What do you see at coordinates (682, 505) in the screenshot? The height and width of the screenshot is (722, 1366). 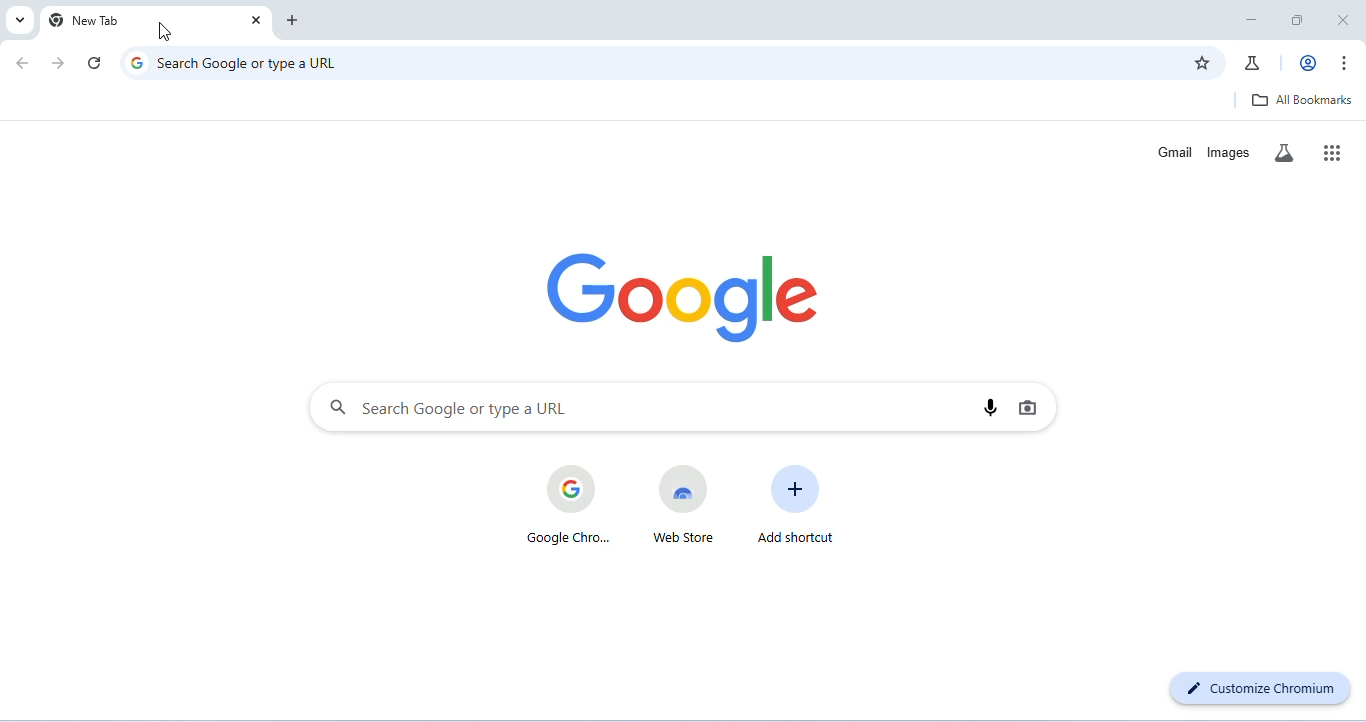 I see `web store` at bounding box center [682, 505].